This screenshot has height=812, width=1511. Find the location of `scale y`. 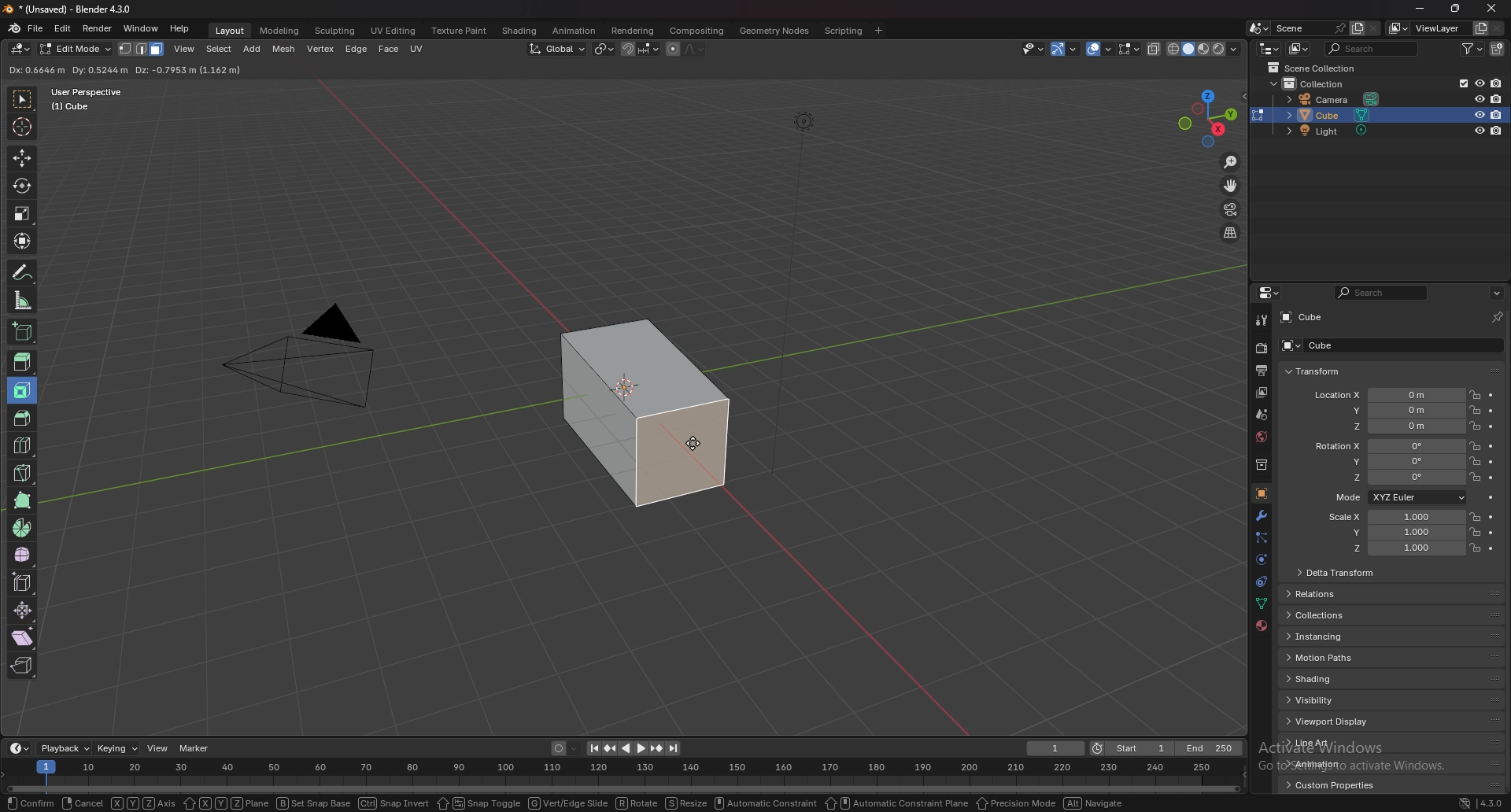

scale y is located at coordinates (1392, 533).